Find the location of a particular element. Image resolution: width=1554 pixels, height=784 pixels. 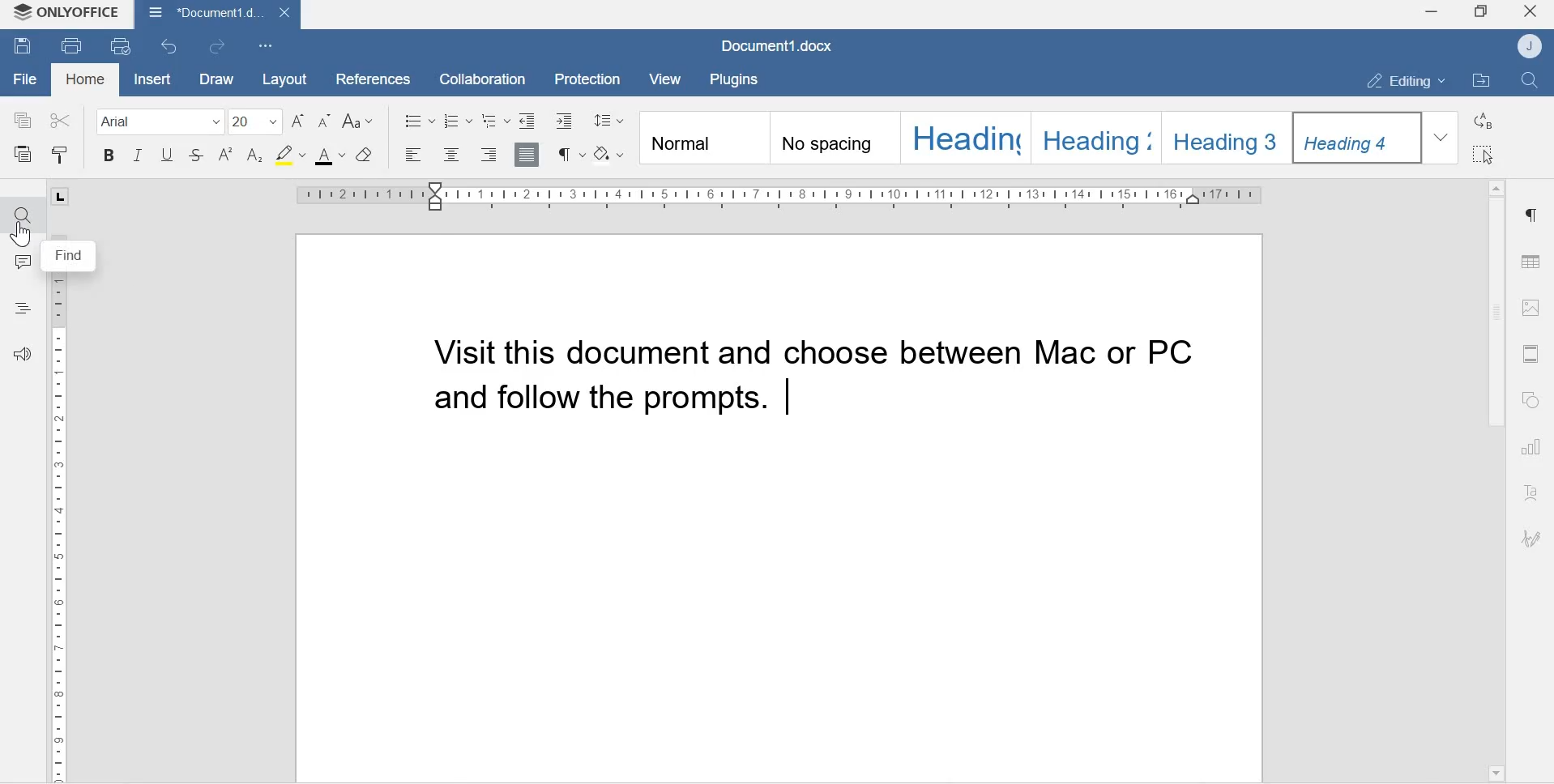

Collaboration is located at coordinates (476, 78).